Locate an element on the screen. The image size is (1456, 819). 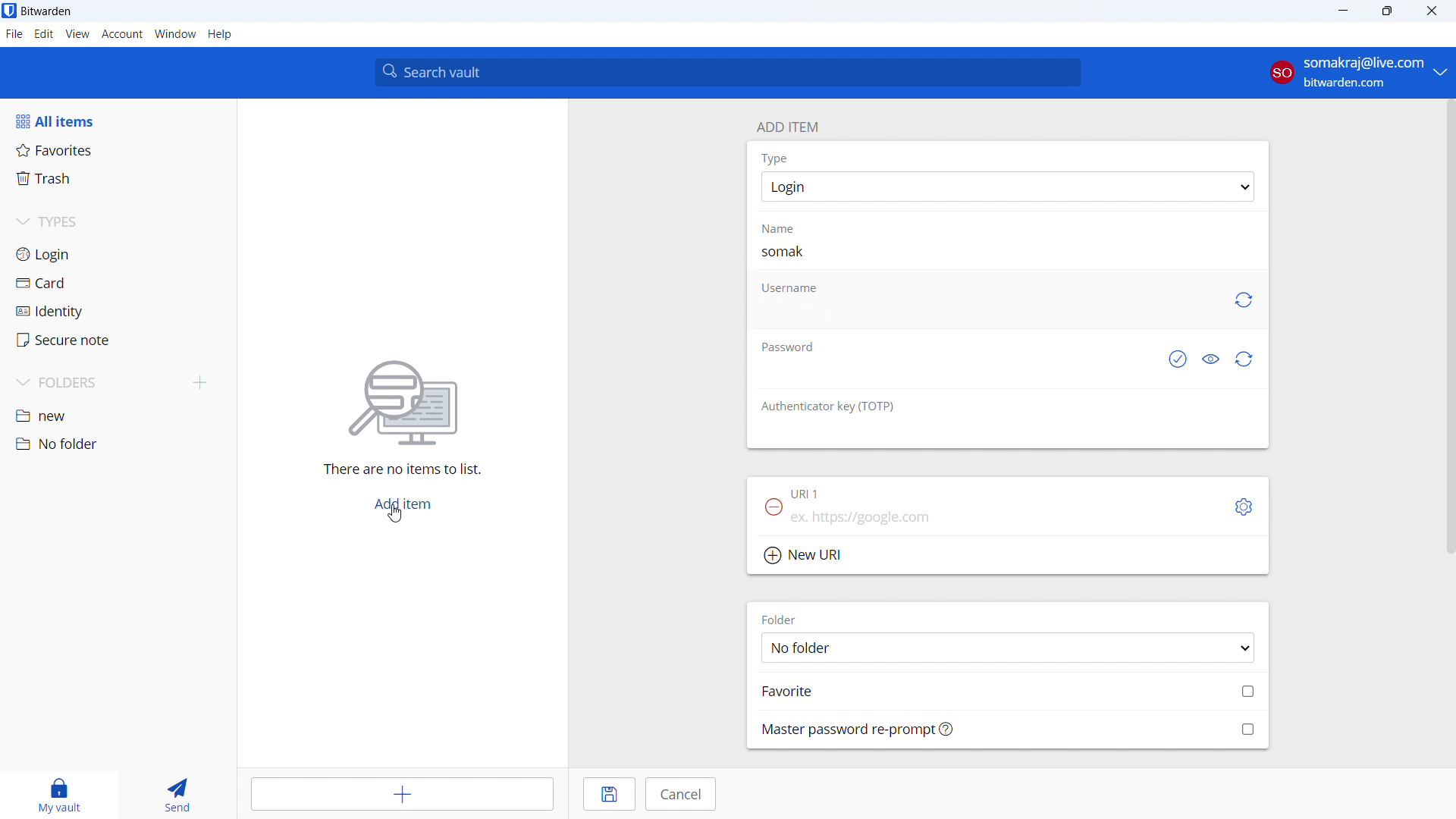
file is located at coordinates (14, 34).